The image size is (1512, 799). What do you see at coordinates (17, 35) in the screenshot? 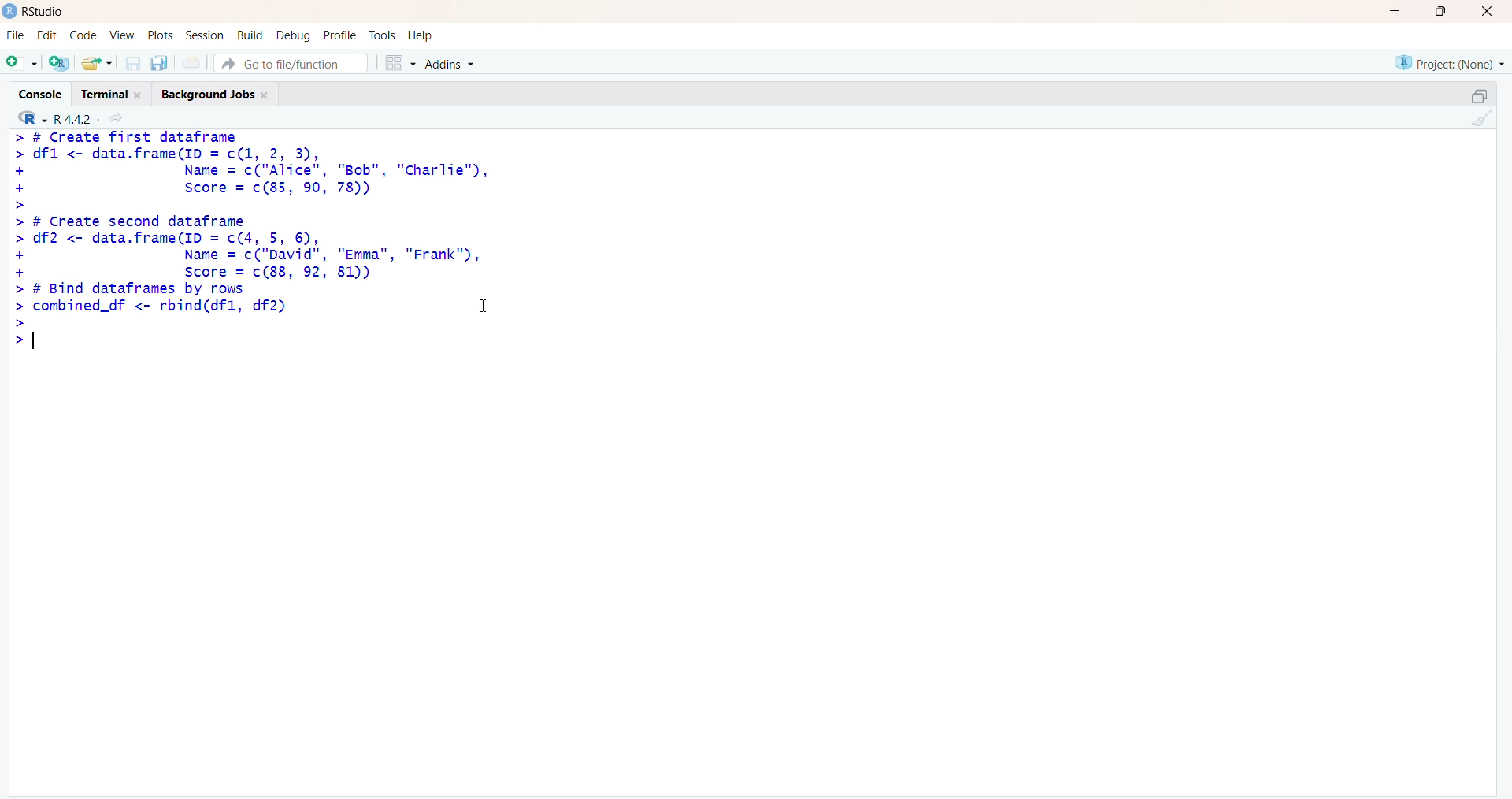
I see `File` at bounding box center [17, 35].